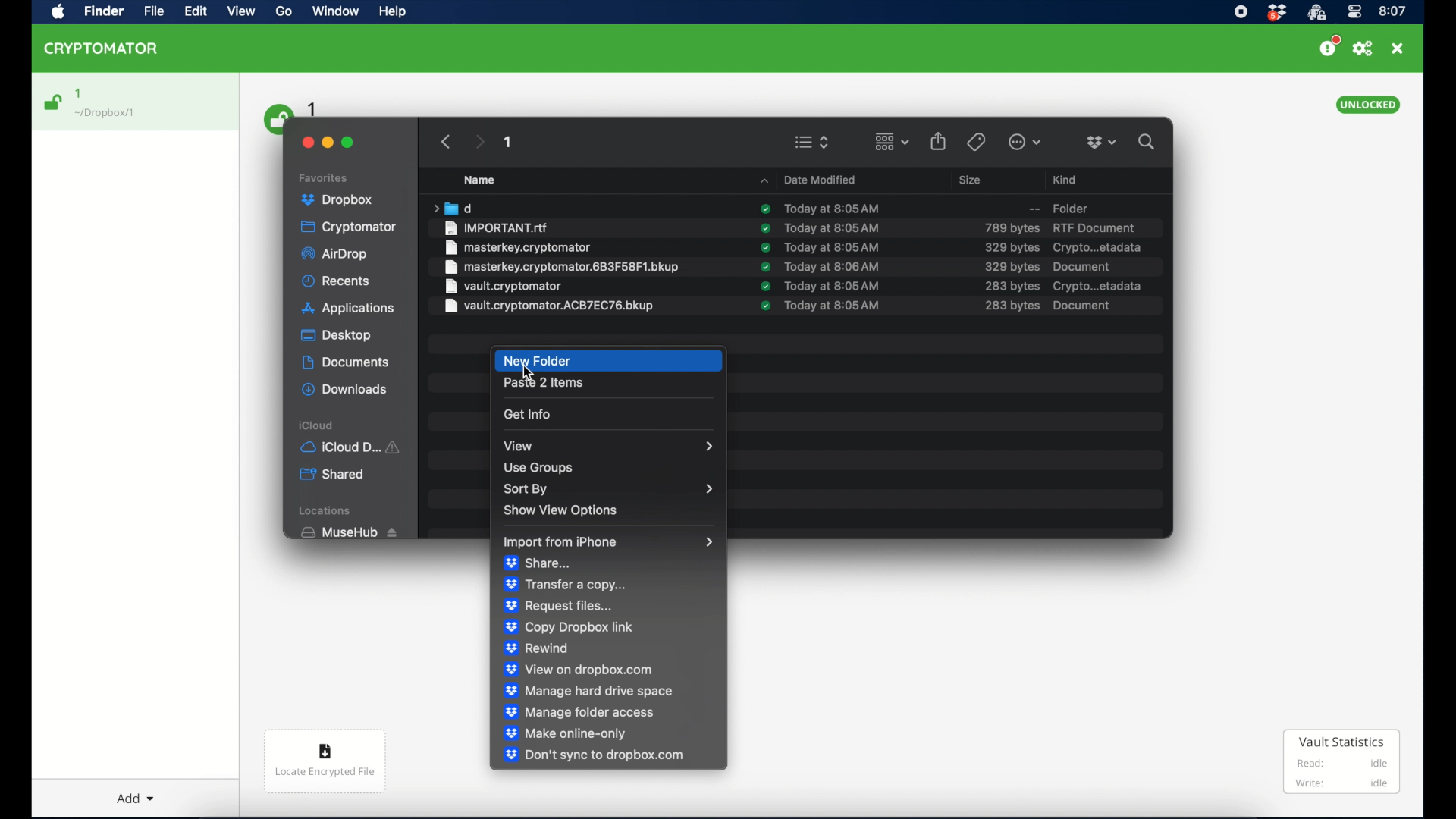  I want to click on screen recorder icon, so click(1241, 11).